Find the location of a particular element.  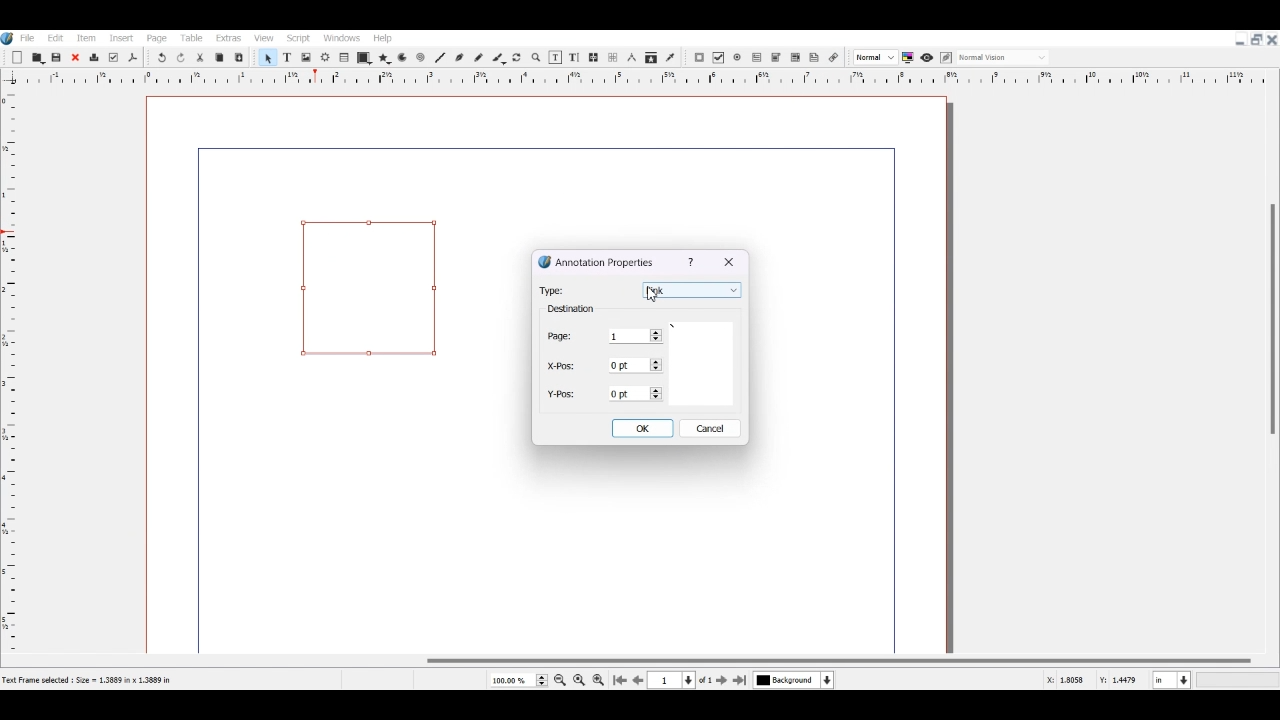

Annotation Properties is located at coordinates (598, 261).